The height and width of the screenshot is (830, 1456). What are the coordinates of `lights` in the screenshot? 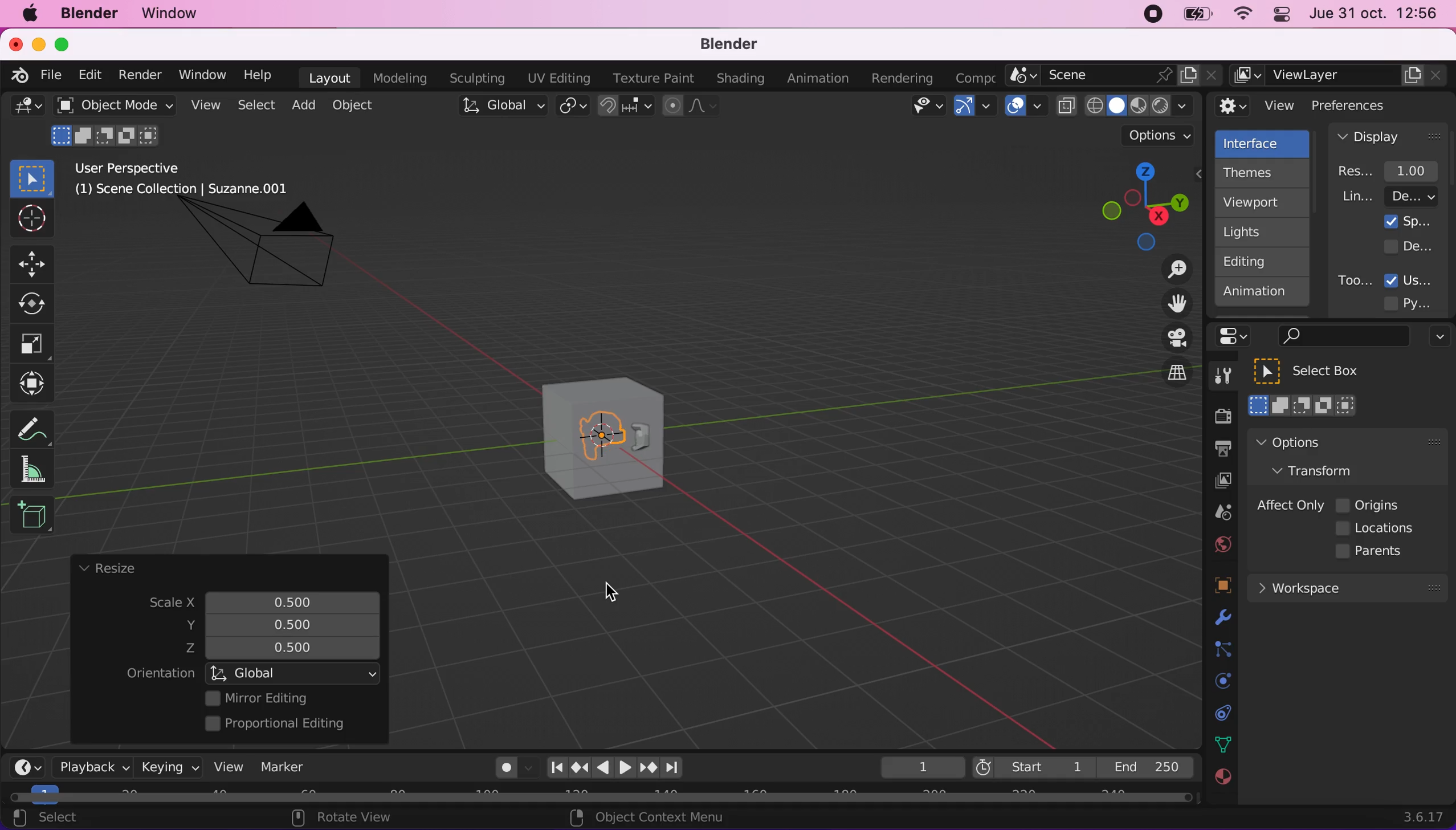 It's located at (1265, 233).